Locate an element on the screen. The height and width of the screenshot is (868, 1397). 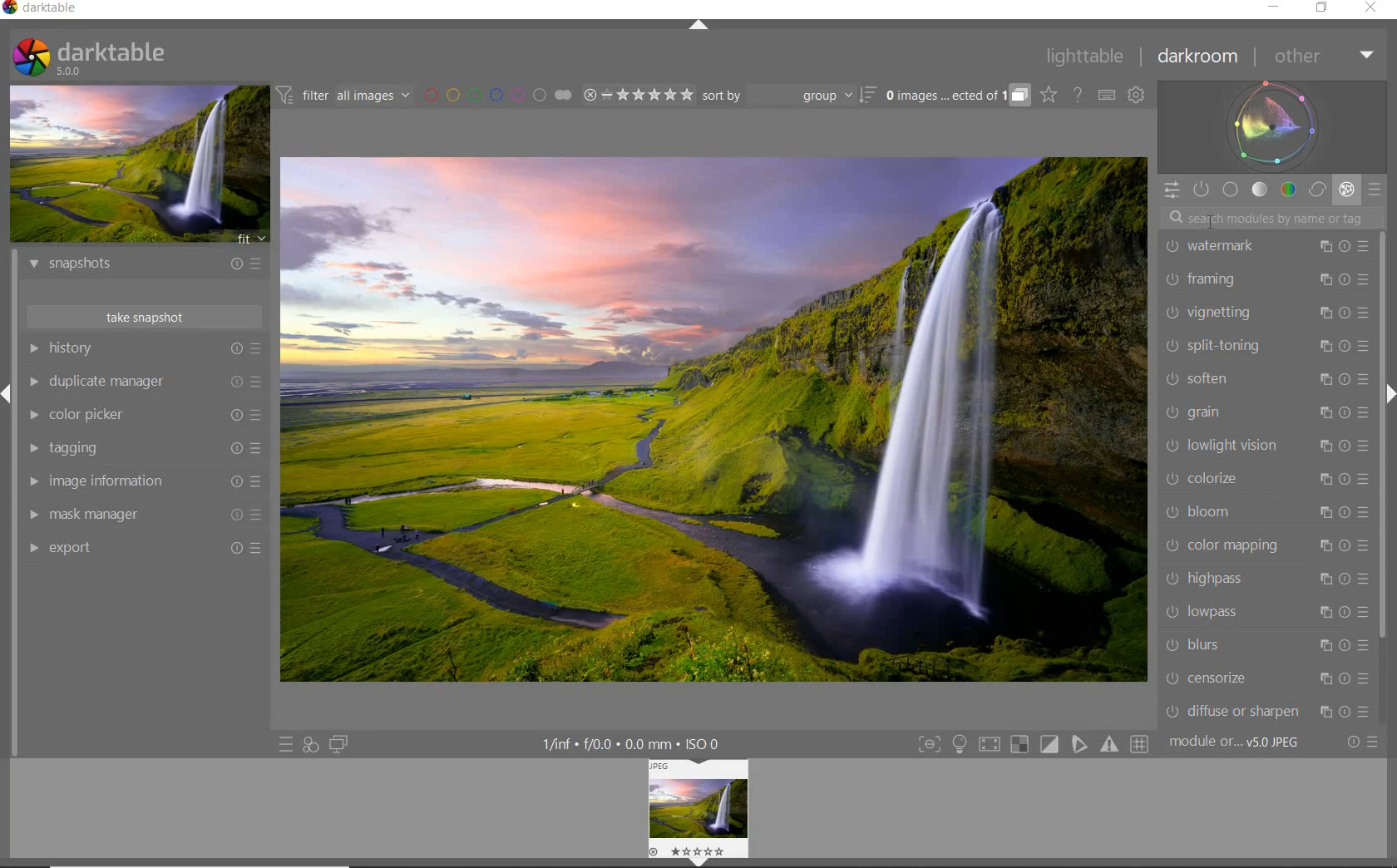
take snapshot is located at coordinates (144, 315).